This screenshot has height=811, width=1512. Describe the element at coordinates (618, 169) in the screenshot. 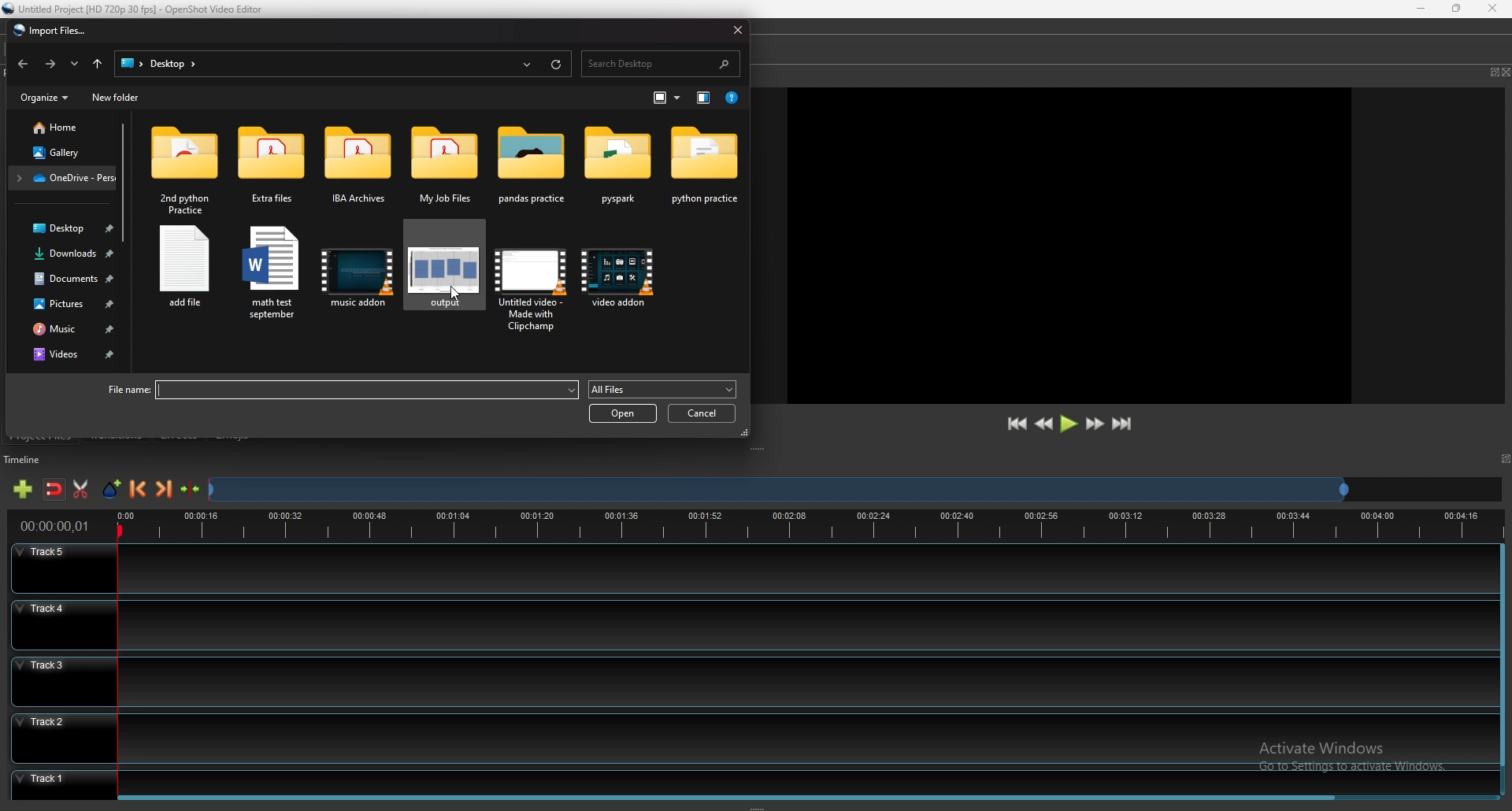

I see `folder` at that location.